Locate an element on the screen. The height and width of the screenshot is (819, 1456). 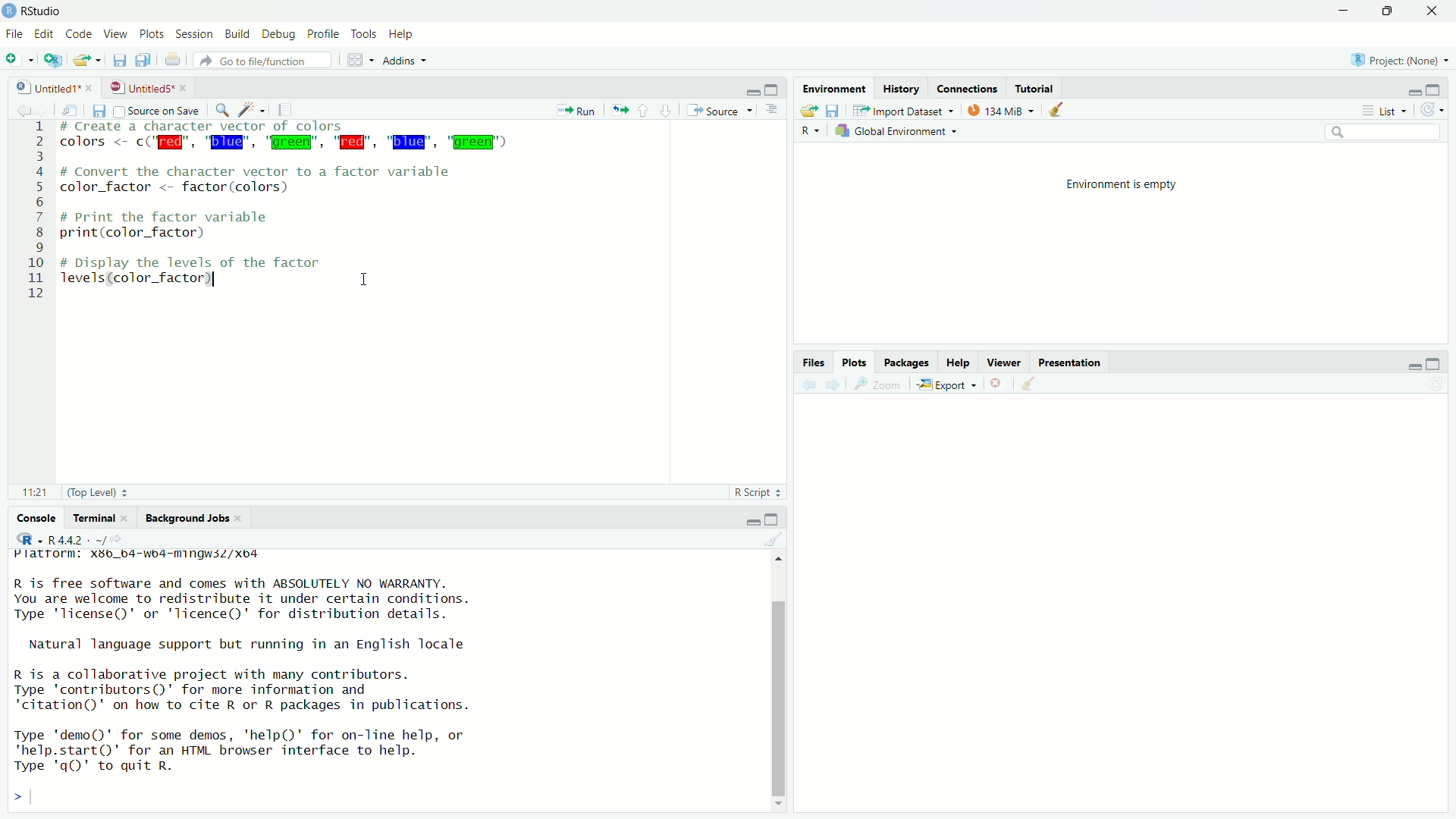
global environment is located at coordinates (901, 132).